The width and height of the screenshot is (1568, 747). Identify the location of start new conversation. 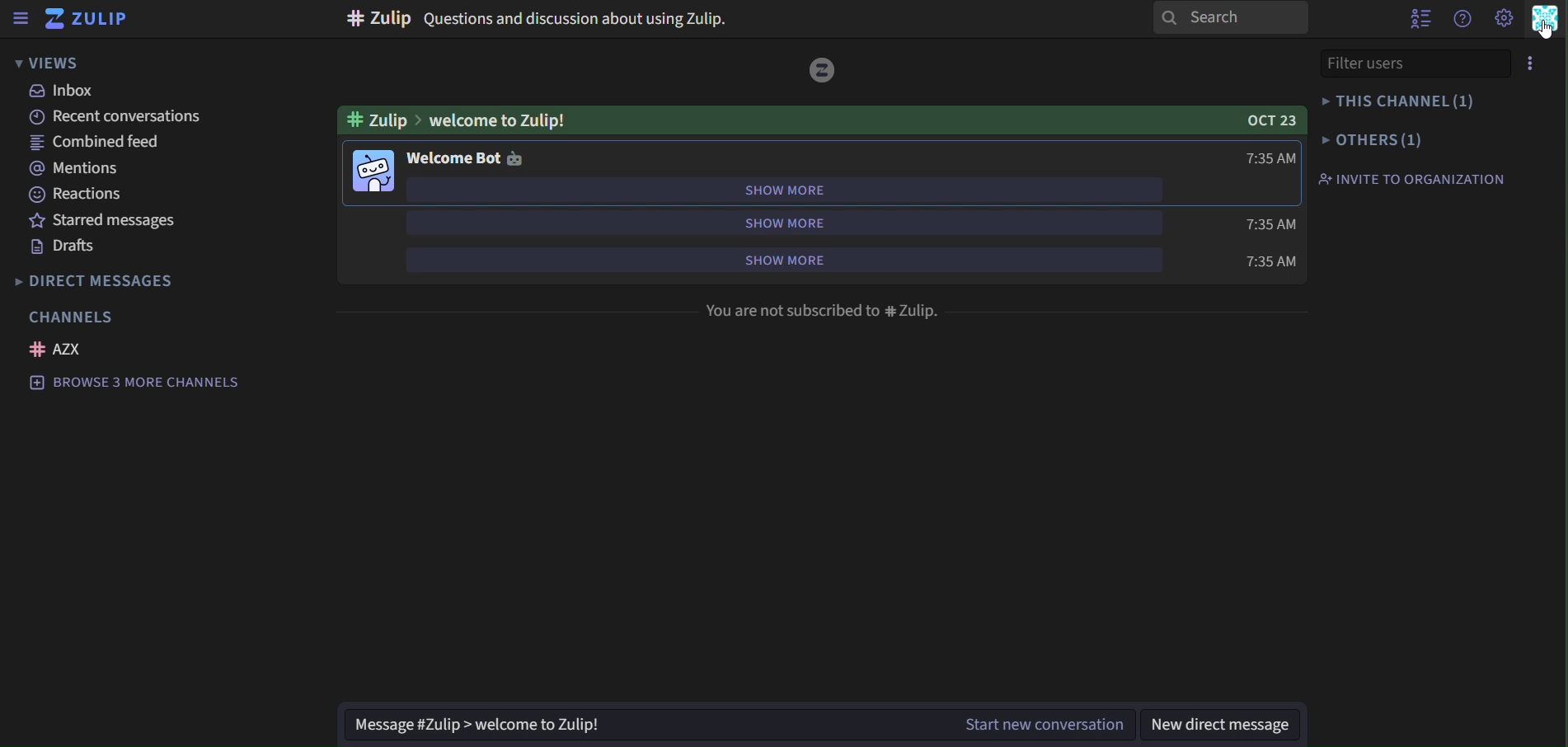
(739, 726).